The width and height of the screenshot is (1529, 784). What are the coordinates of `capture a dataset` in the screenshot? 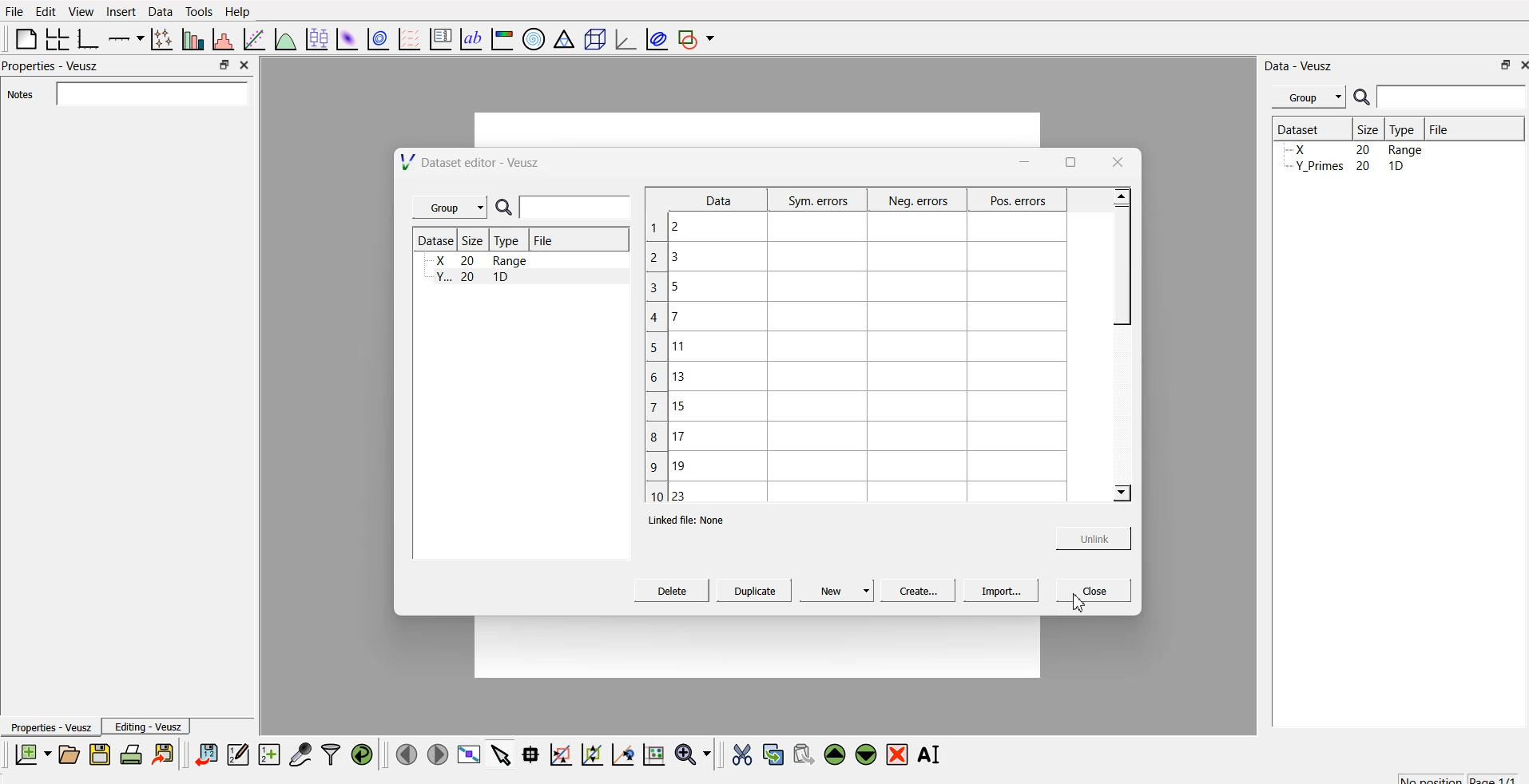 It's located at (300, 754).